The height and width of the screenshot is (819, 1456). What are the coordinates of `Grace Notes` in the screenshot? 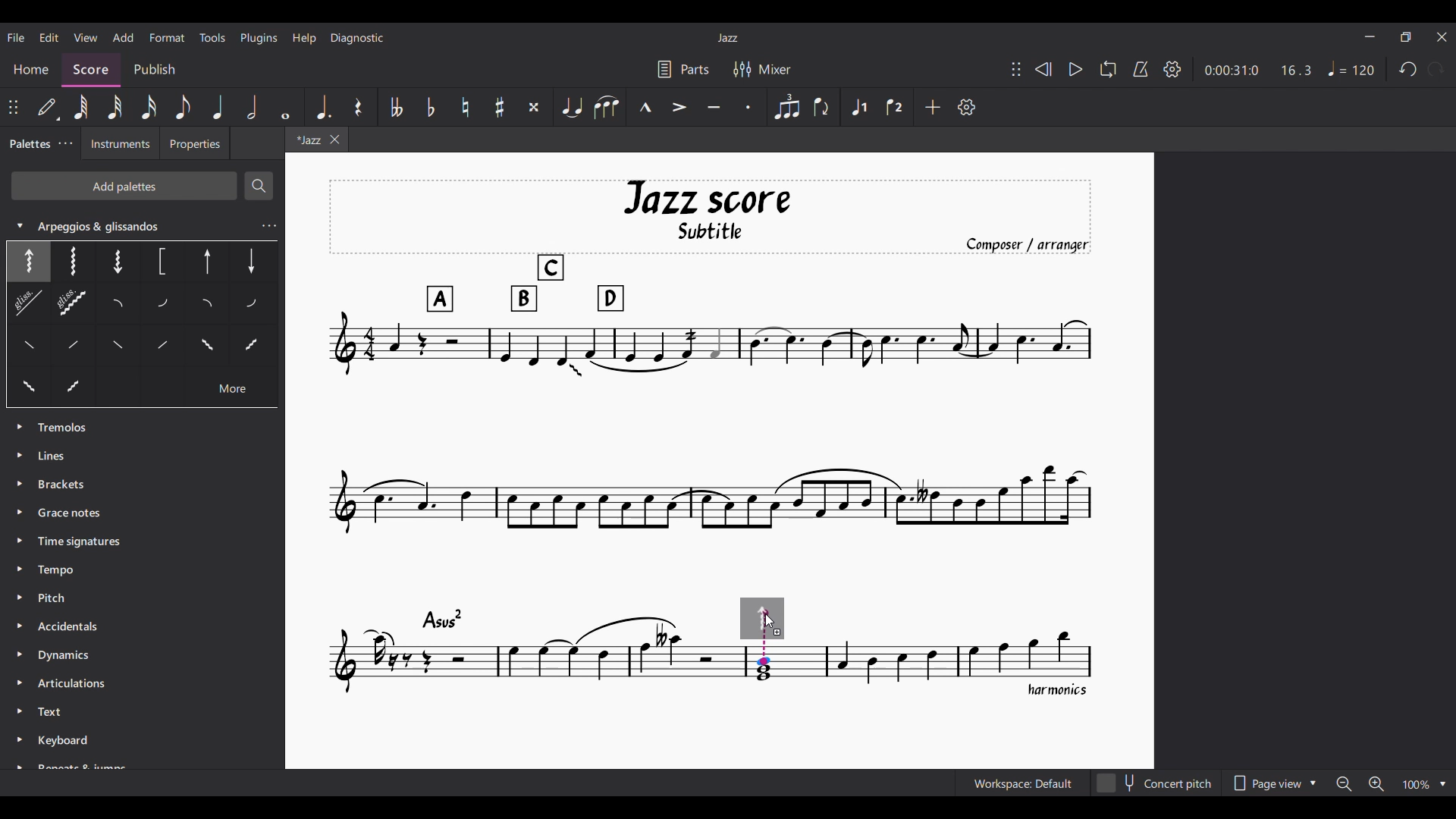 It's located at (74, 515).